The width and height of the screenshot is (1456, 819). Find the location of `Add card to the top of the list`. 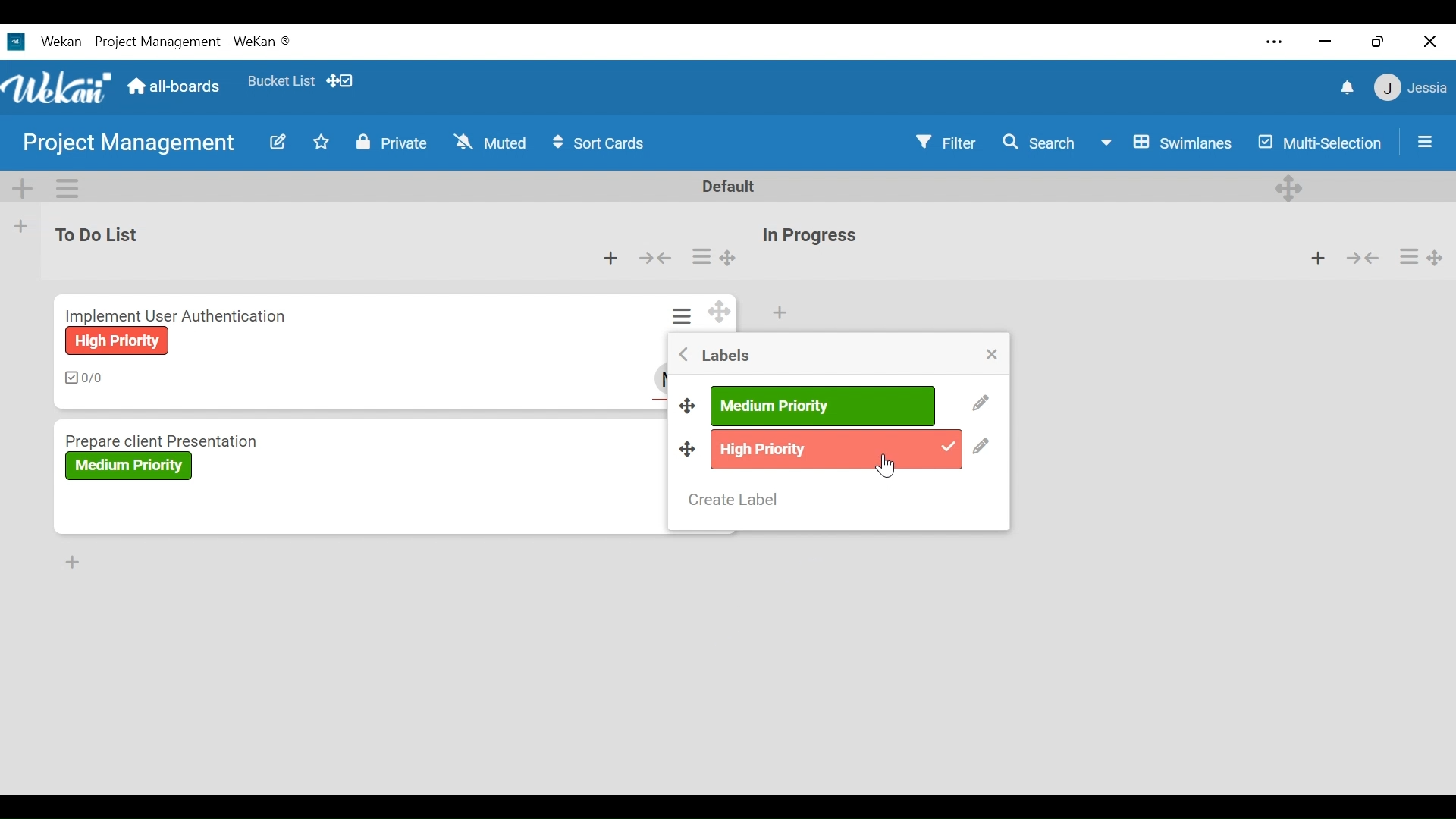

Add card to the top of the list is located at coordinates (613, 259).